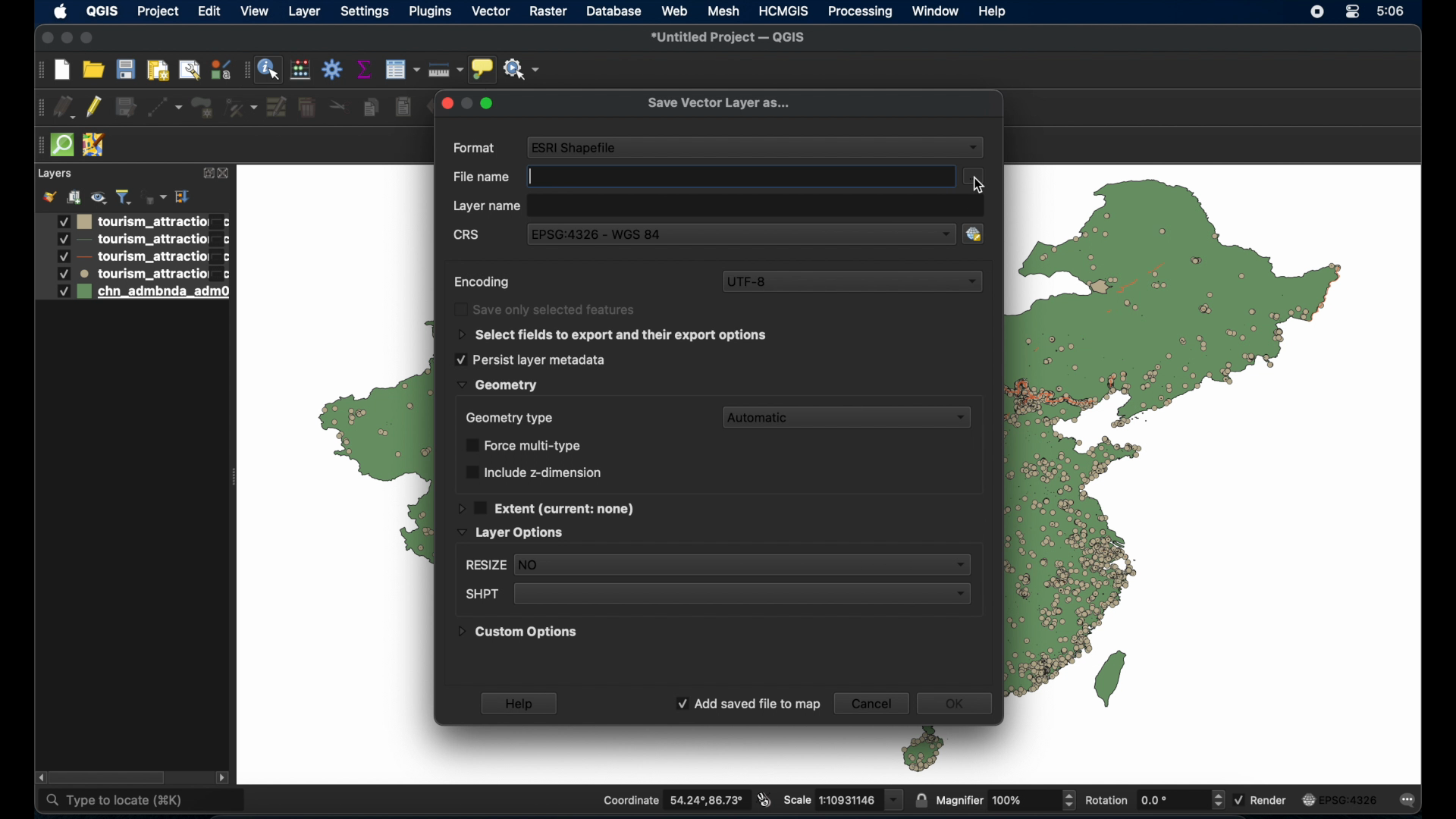 This screenshot has height=819, width=1456. I want to click on identify feature, so click(268, 69).